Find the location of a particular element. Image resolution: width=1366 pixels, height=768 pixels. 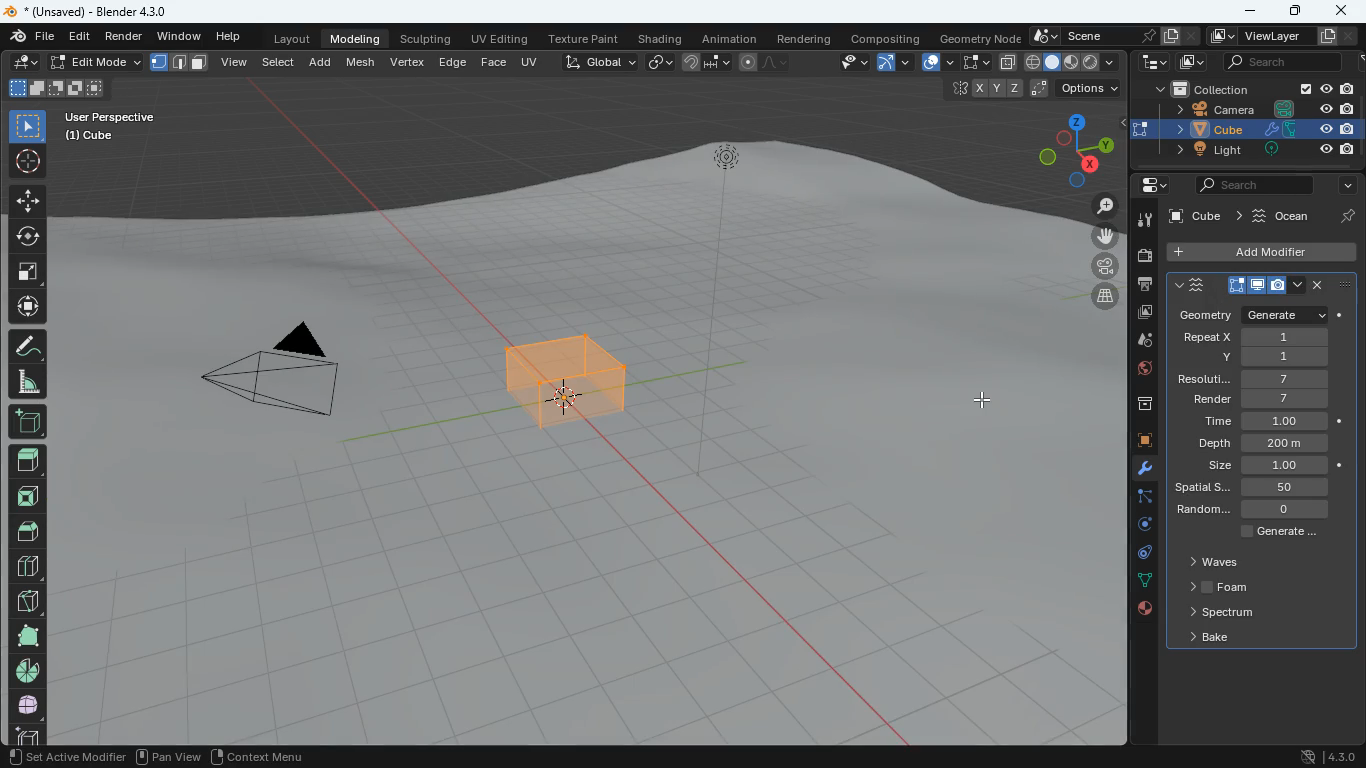

texture paint is located at coordinates (584, 36).